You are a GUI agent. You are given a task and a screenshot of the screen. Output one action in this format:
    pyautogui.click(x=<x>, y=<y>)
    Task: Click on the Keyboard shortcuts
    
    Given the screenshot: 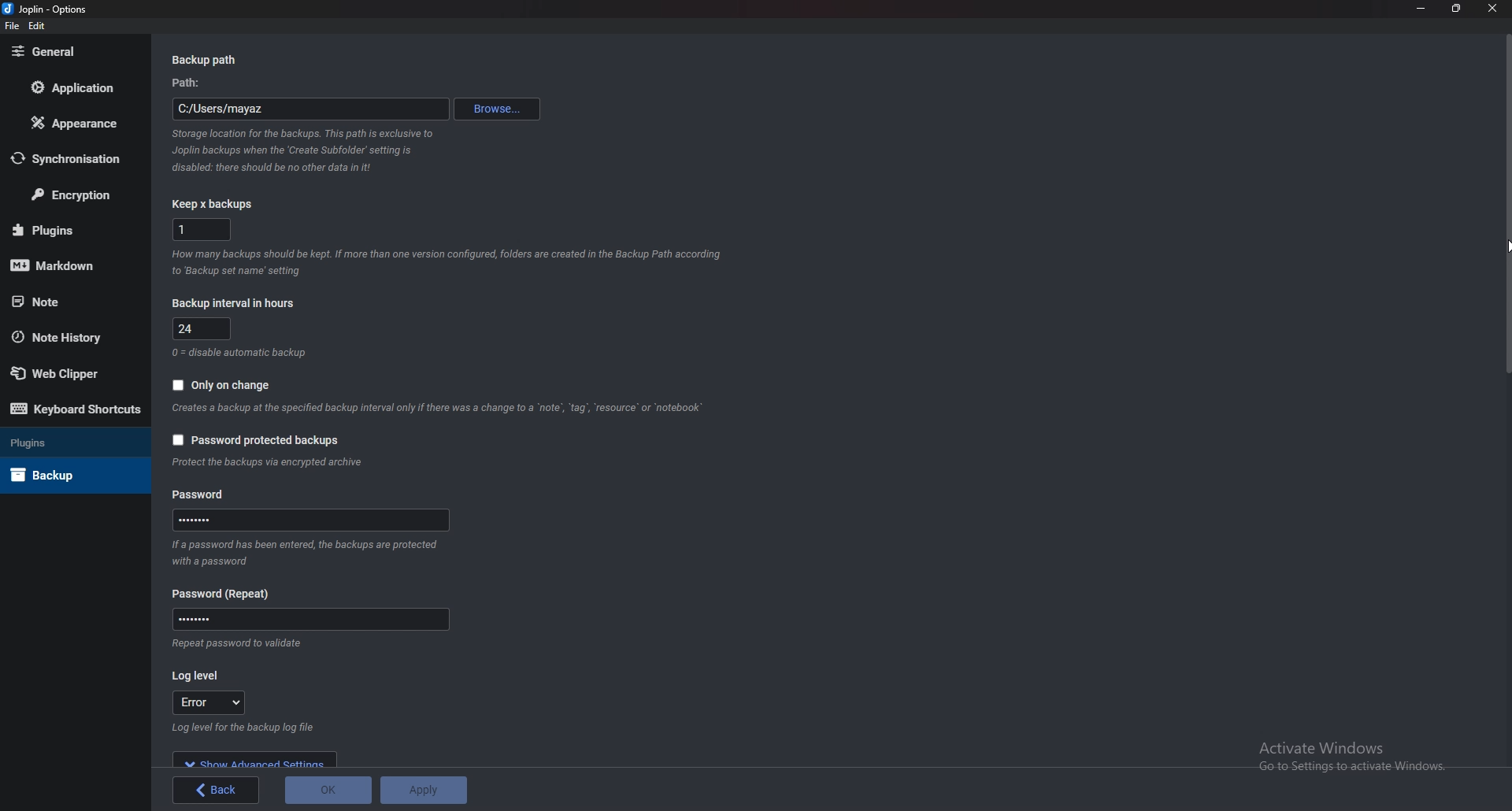 What is the action you would take?
    pyautogui.click(x=72, y=409)
    